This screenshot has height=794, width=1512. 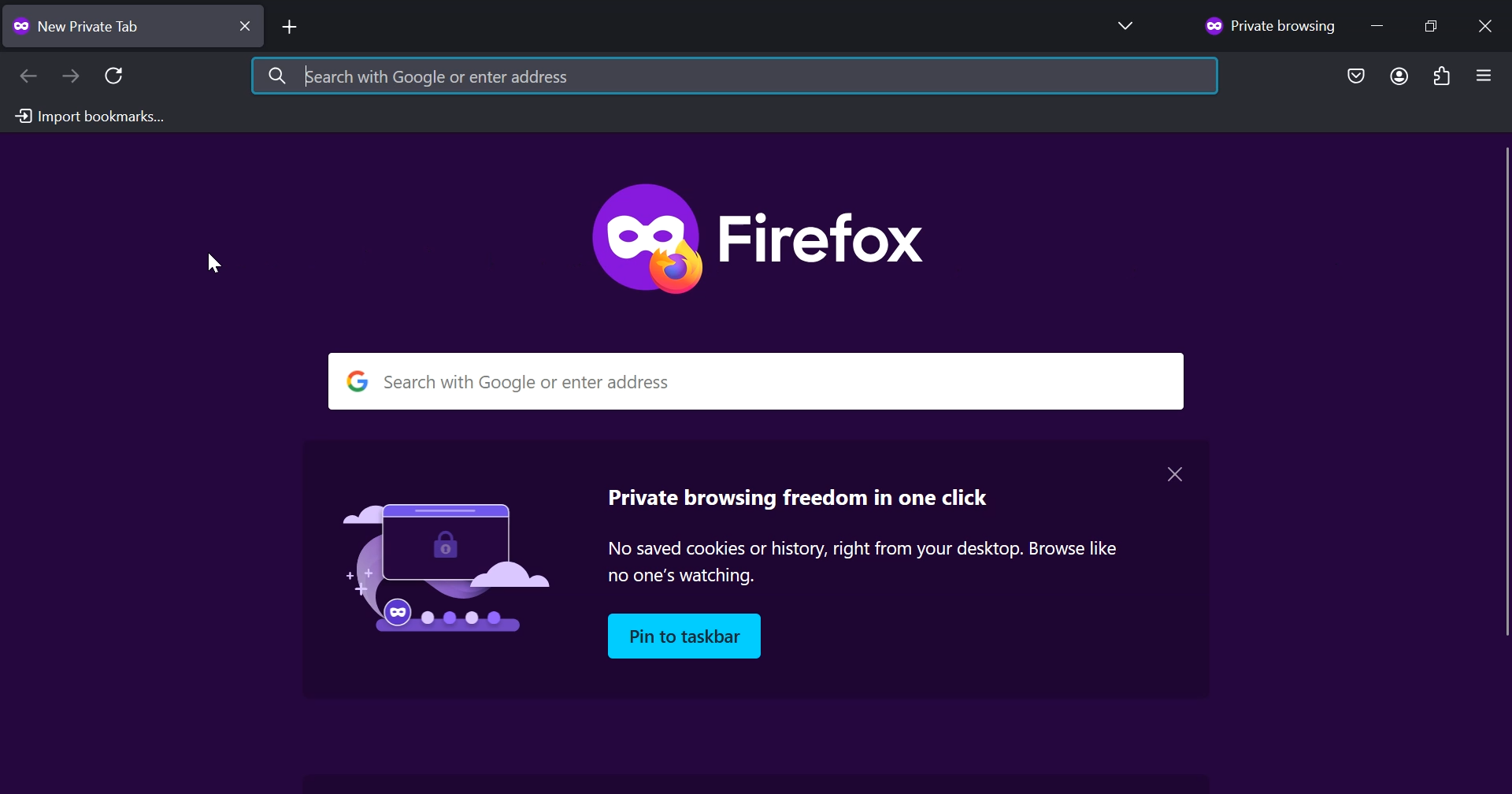 I want to click on Firefox private, so click(x=758, y=240).